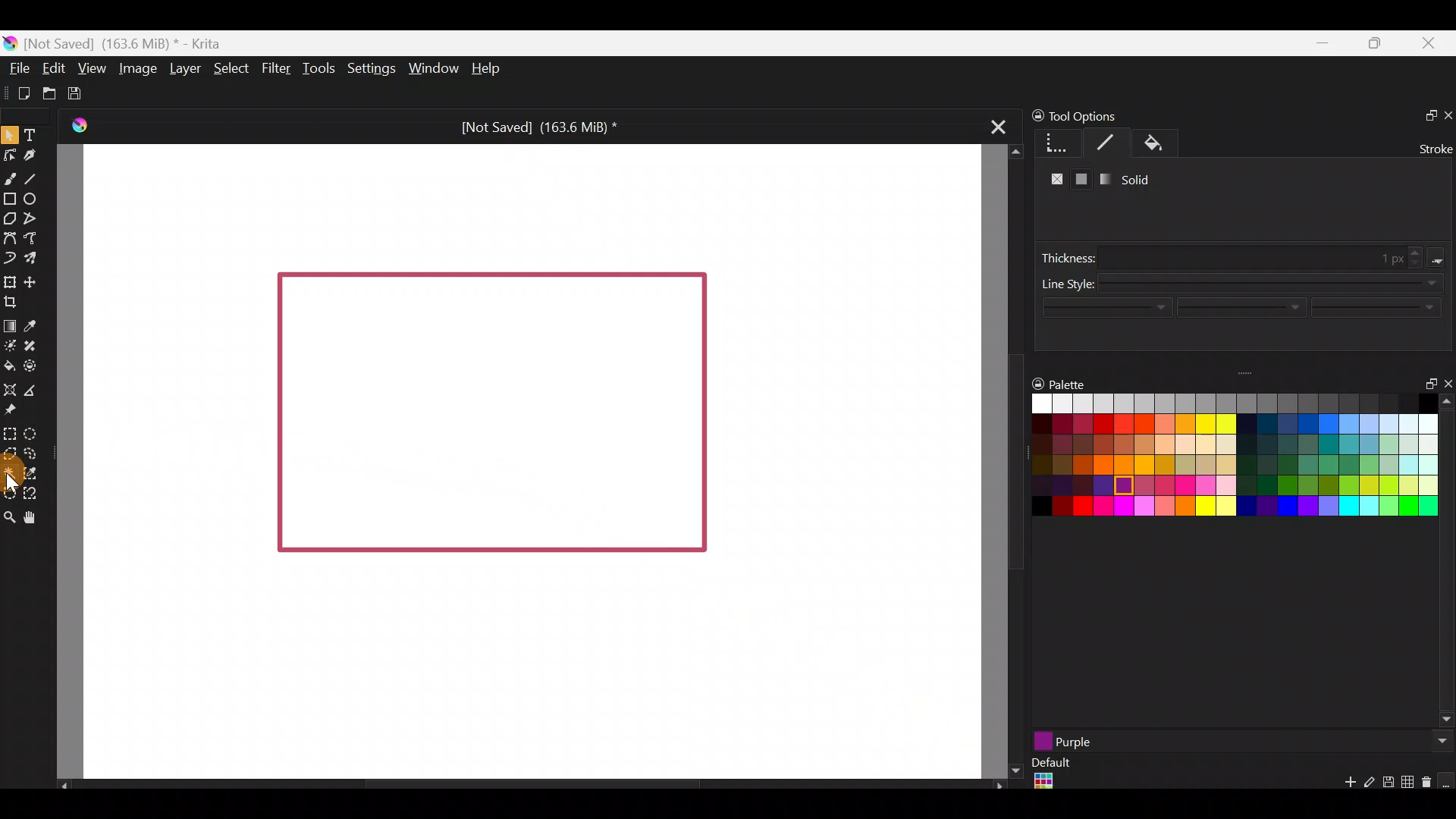 Image resolution: width=1456 pixels, height=819 pixels. What do you see at coordinates (1410, 784) in the screenshot?
I see `Edit current palette` at bounding box center [1410, 784].